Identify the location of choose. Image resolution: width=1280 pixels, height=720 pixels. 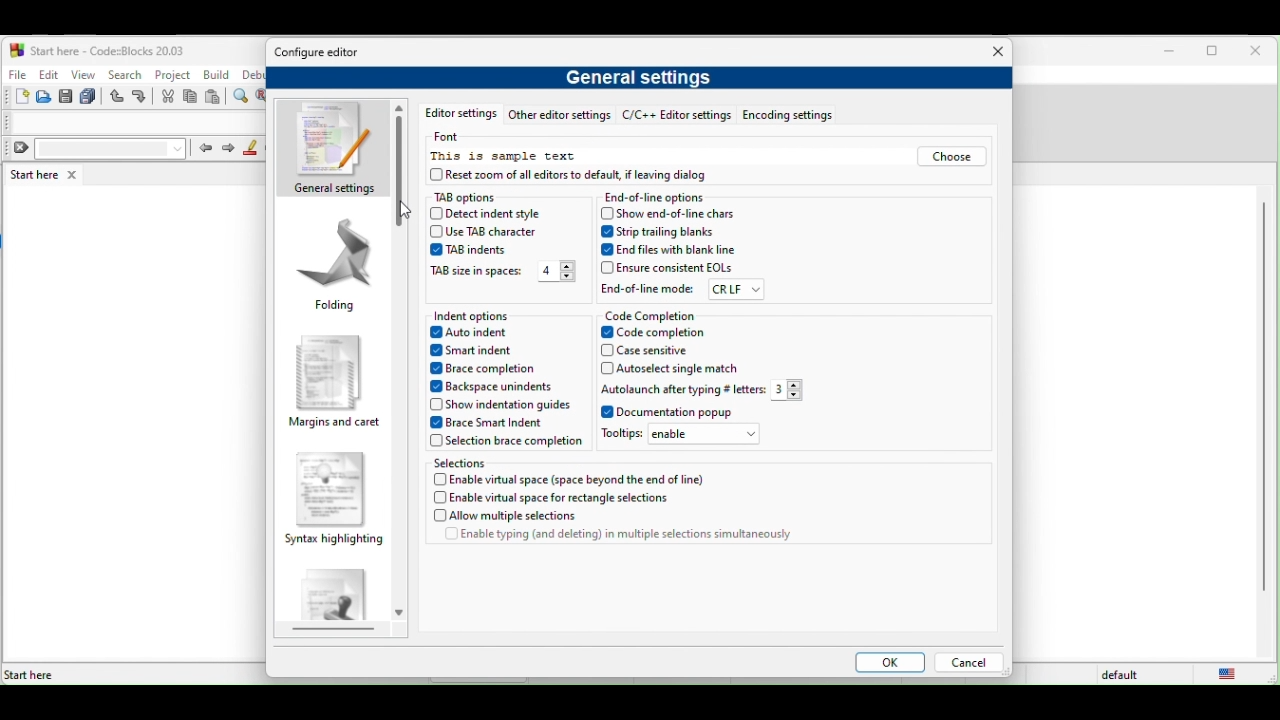
(950, 158).